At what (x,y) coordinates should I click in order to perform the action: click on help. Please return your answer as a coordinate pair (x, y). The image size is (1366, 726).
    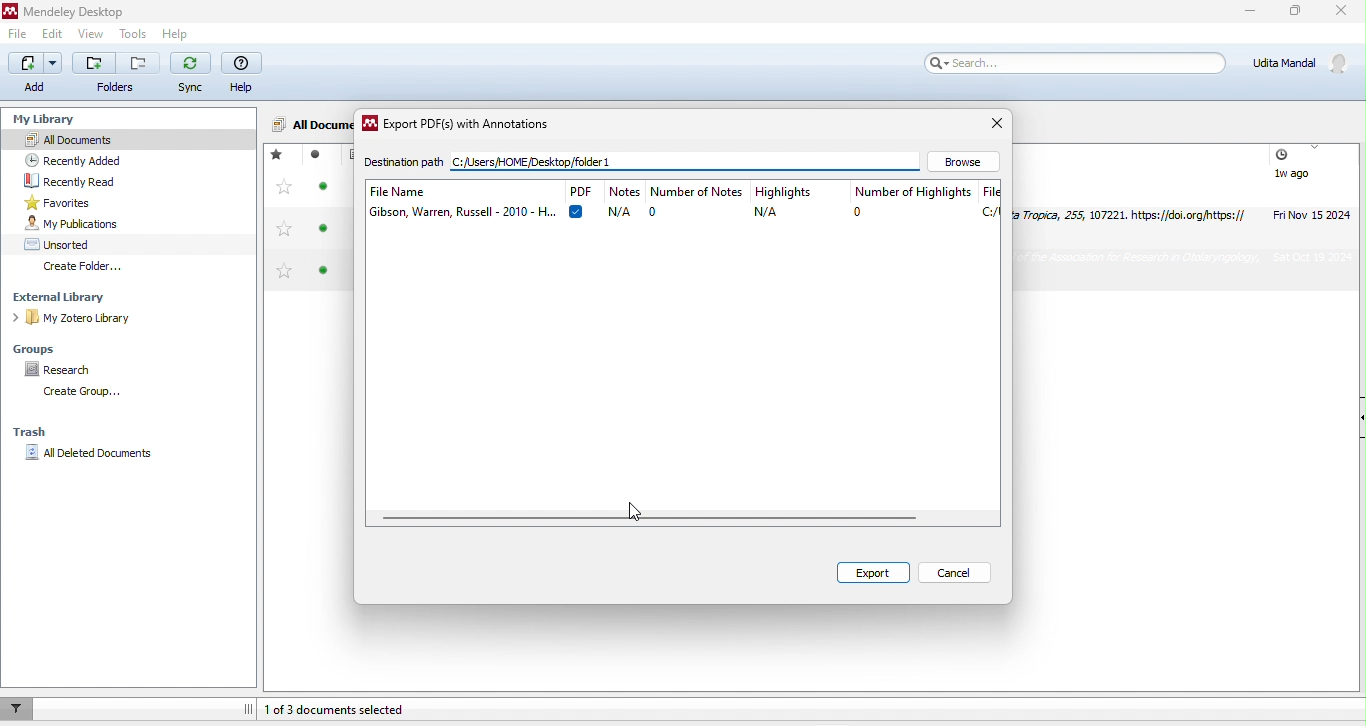
    Looking at the image, I should click on (176, 32).